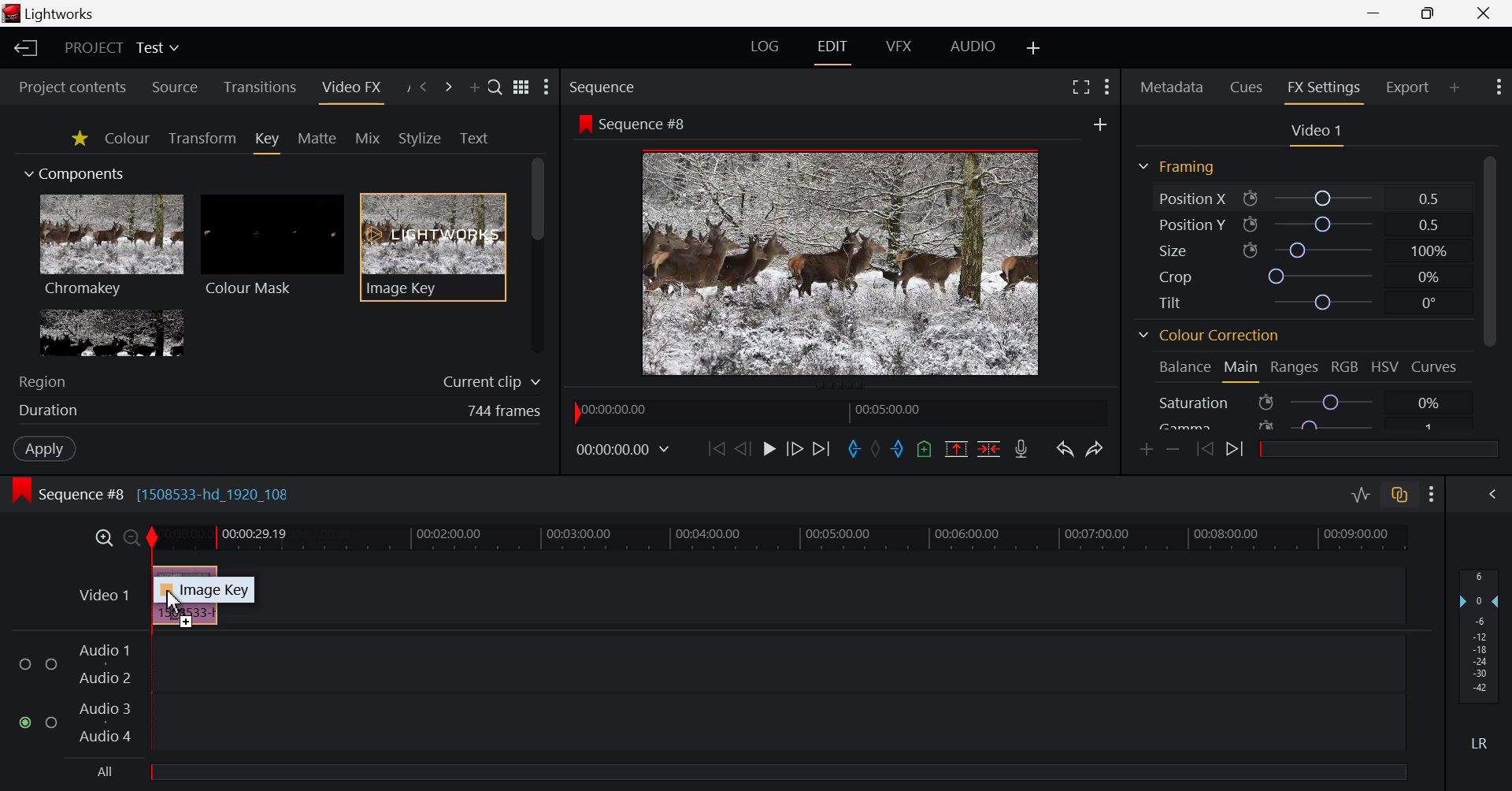 The image size is (1512, 791). Describe the element at coordinates (584, 123) in the screenshot. I see `icon` at that location.